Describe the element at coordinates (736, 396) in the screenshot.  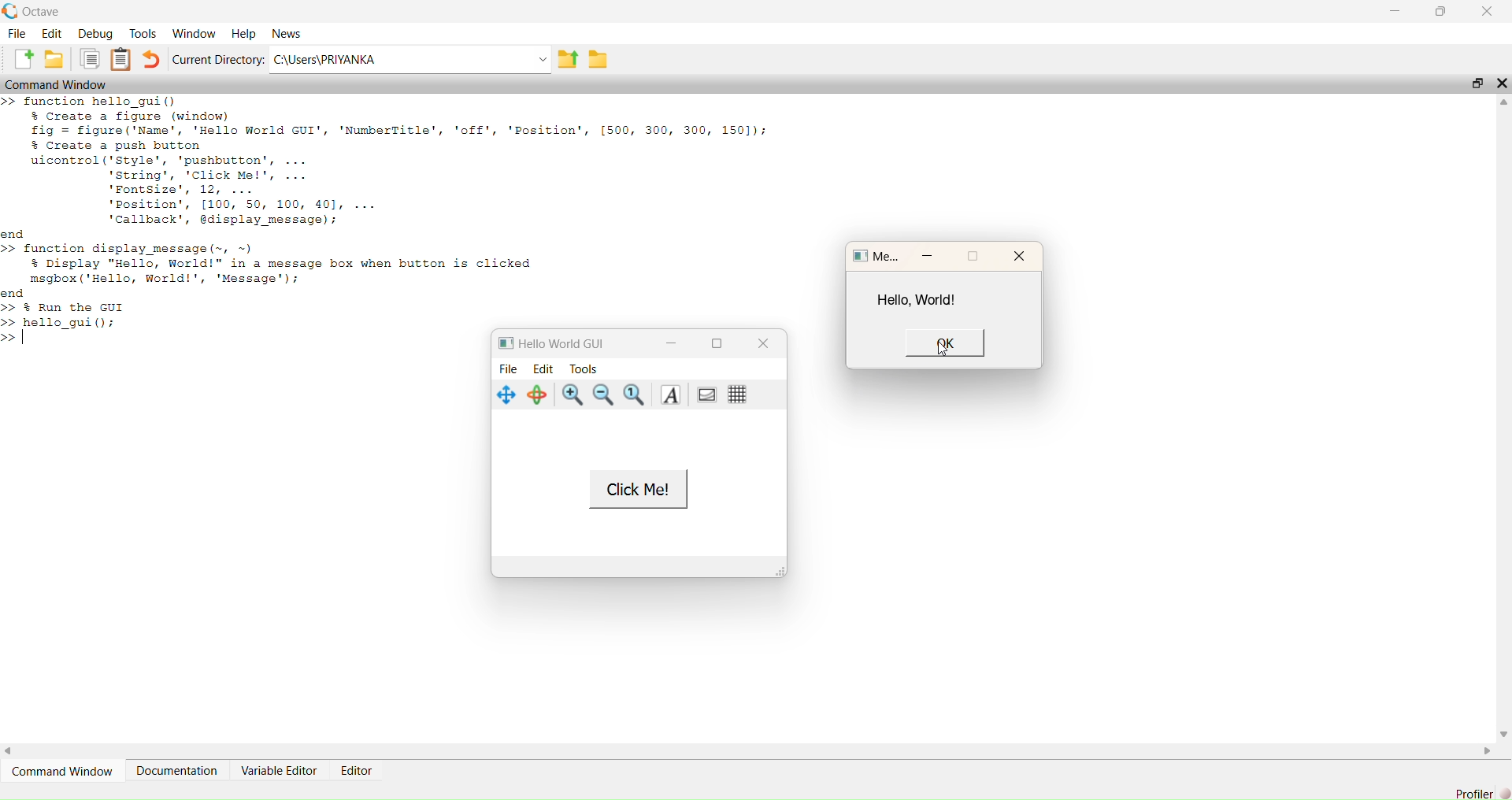
I see `grid` at that location.